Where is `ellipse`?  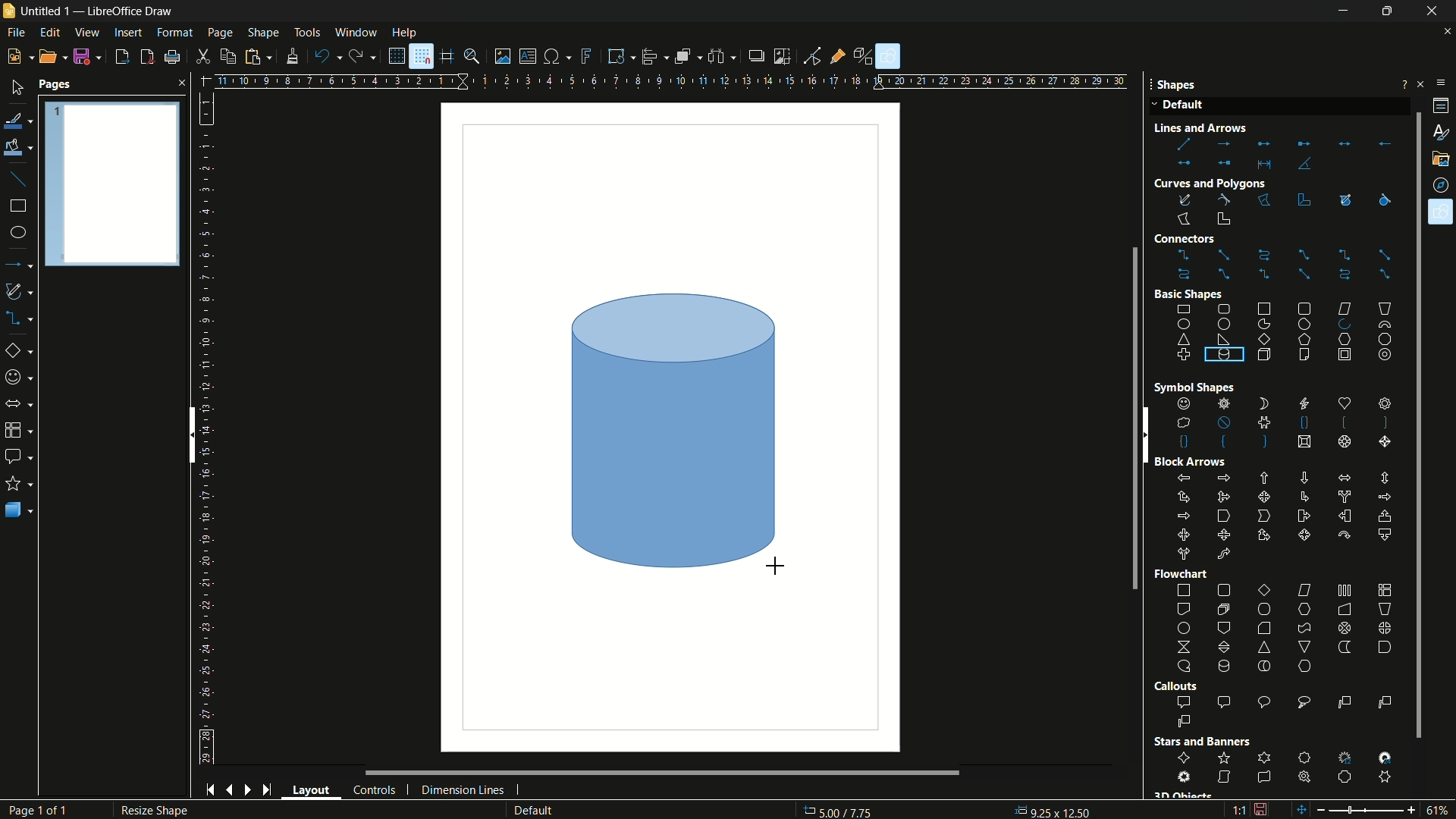 ellipse is located at coordinates (17, 233).